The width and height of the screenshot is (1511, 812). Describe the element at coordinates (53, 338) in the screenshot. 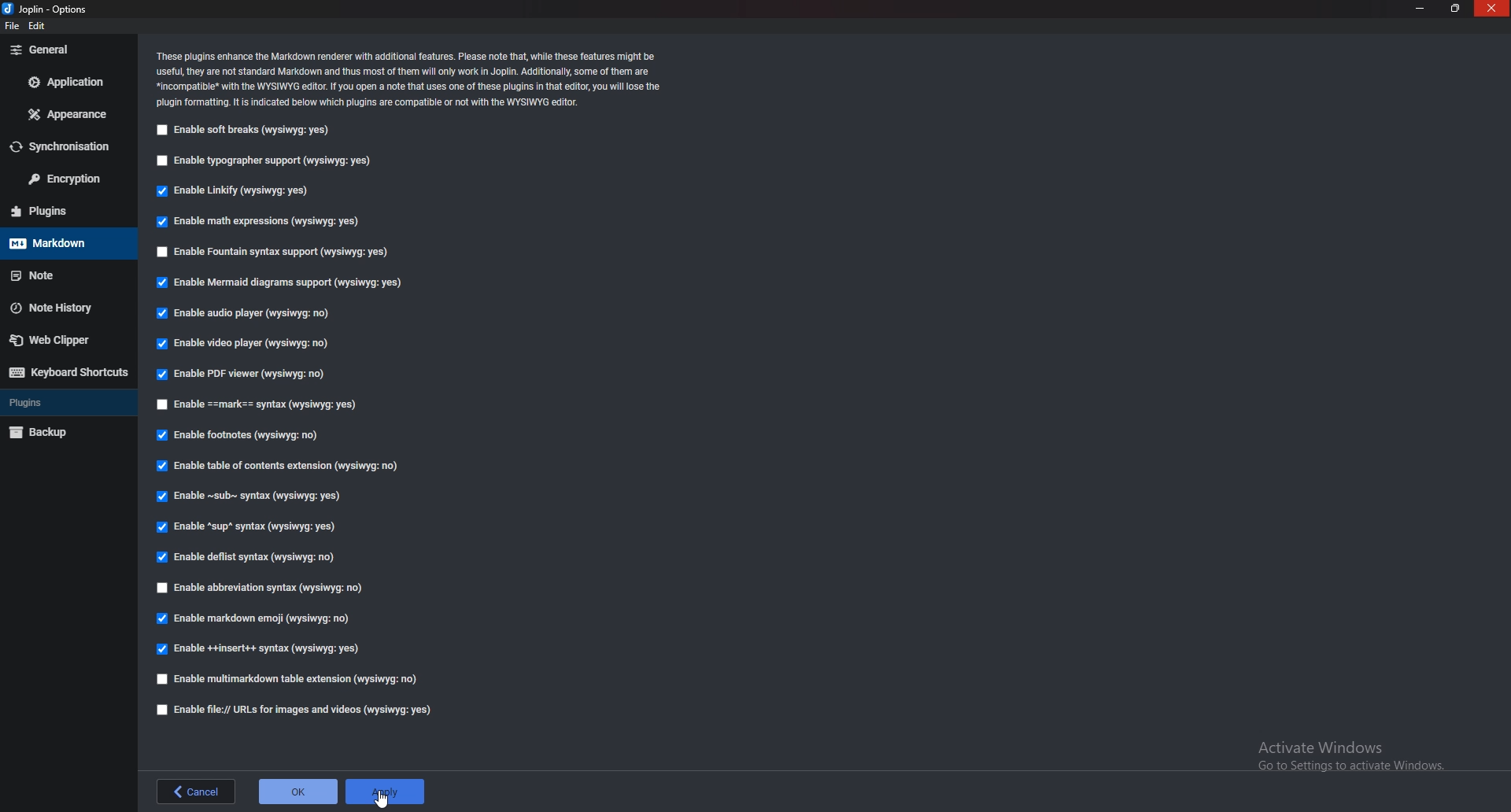

I see `Web clipper` at that location.